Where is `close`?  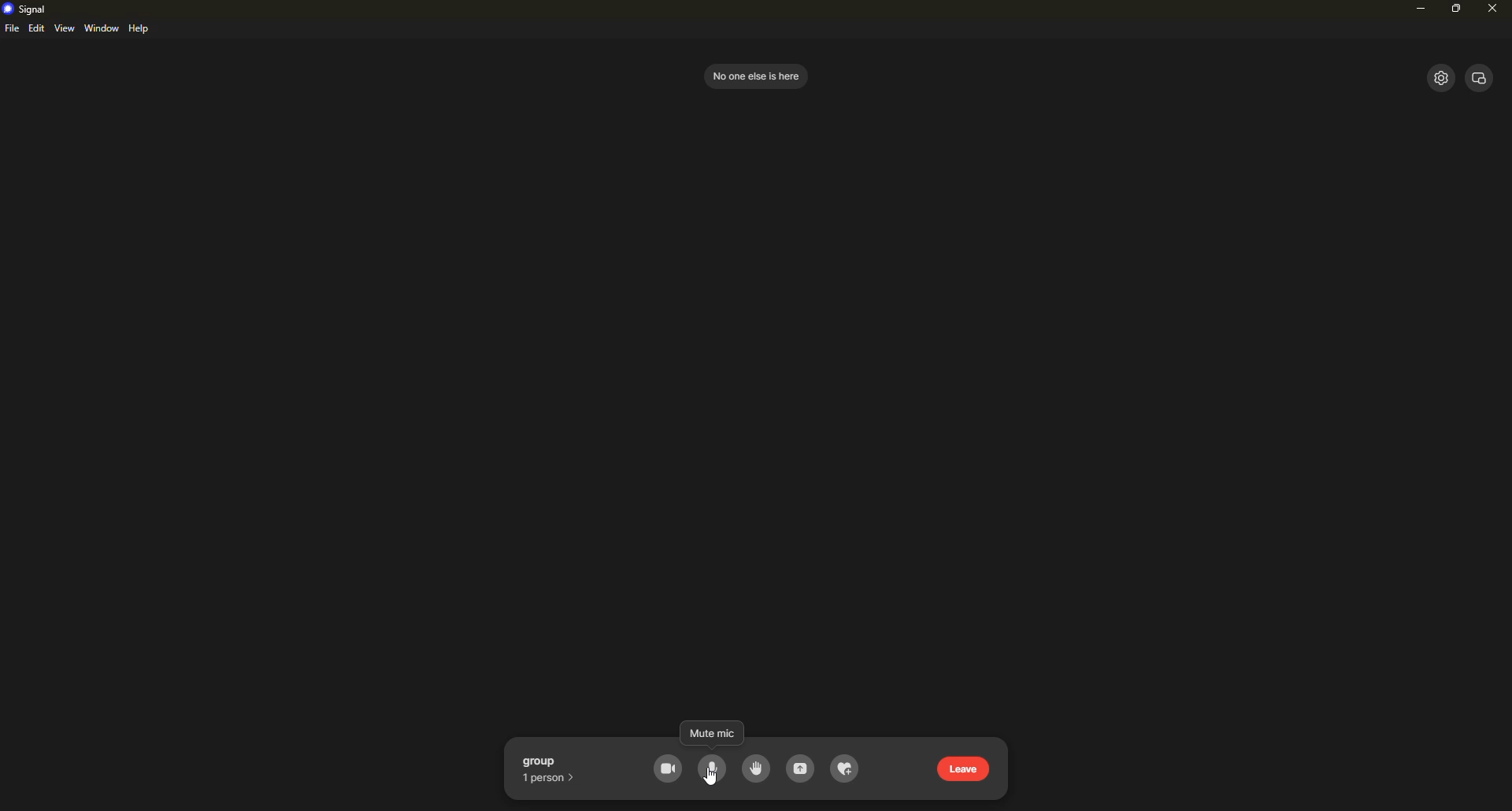
close is located at coordinates (1492, 9).